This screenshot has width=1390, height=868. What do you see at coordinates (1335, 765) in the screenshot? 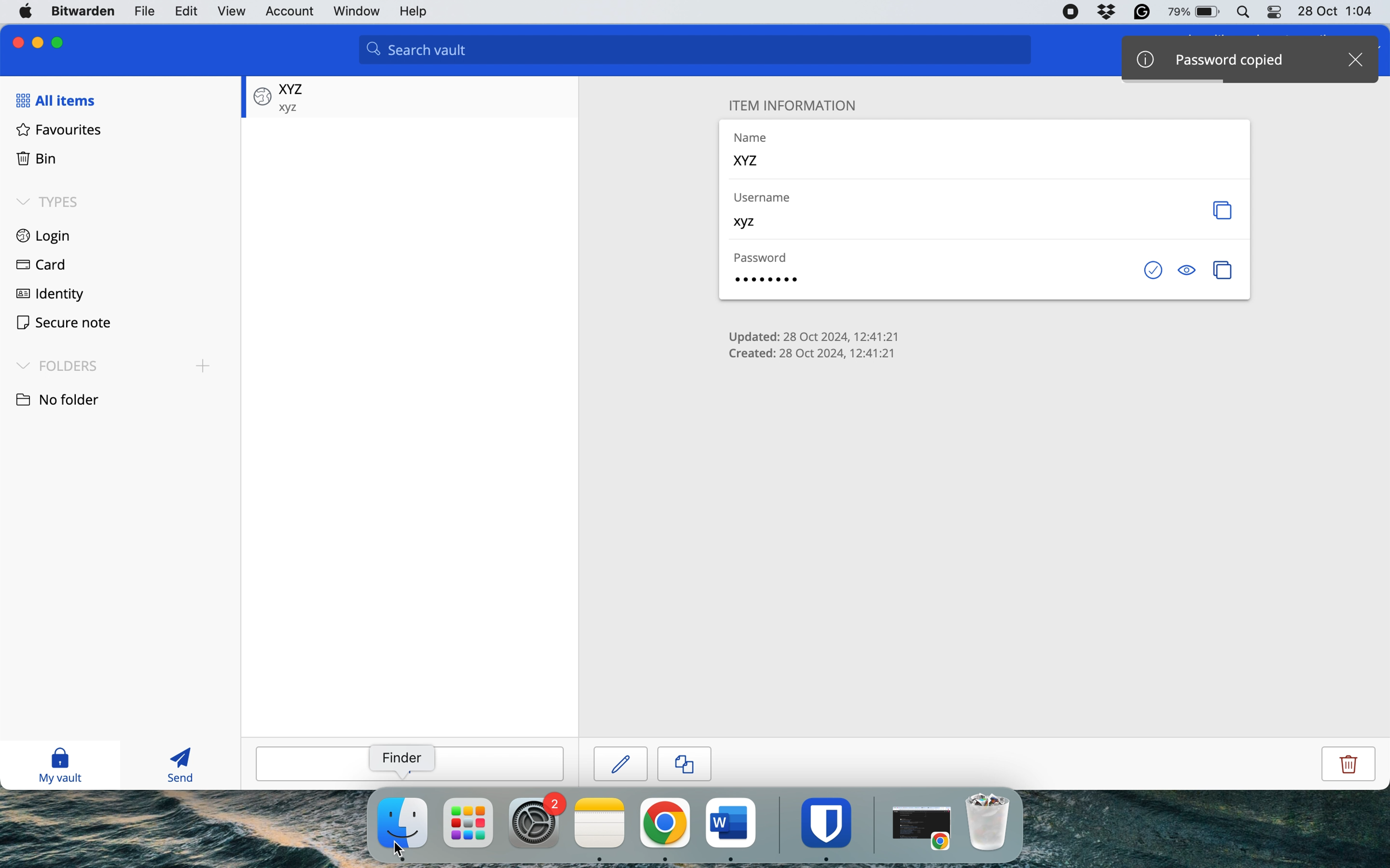
I see `delete` at bounding box center [1335, 765].